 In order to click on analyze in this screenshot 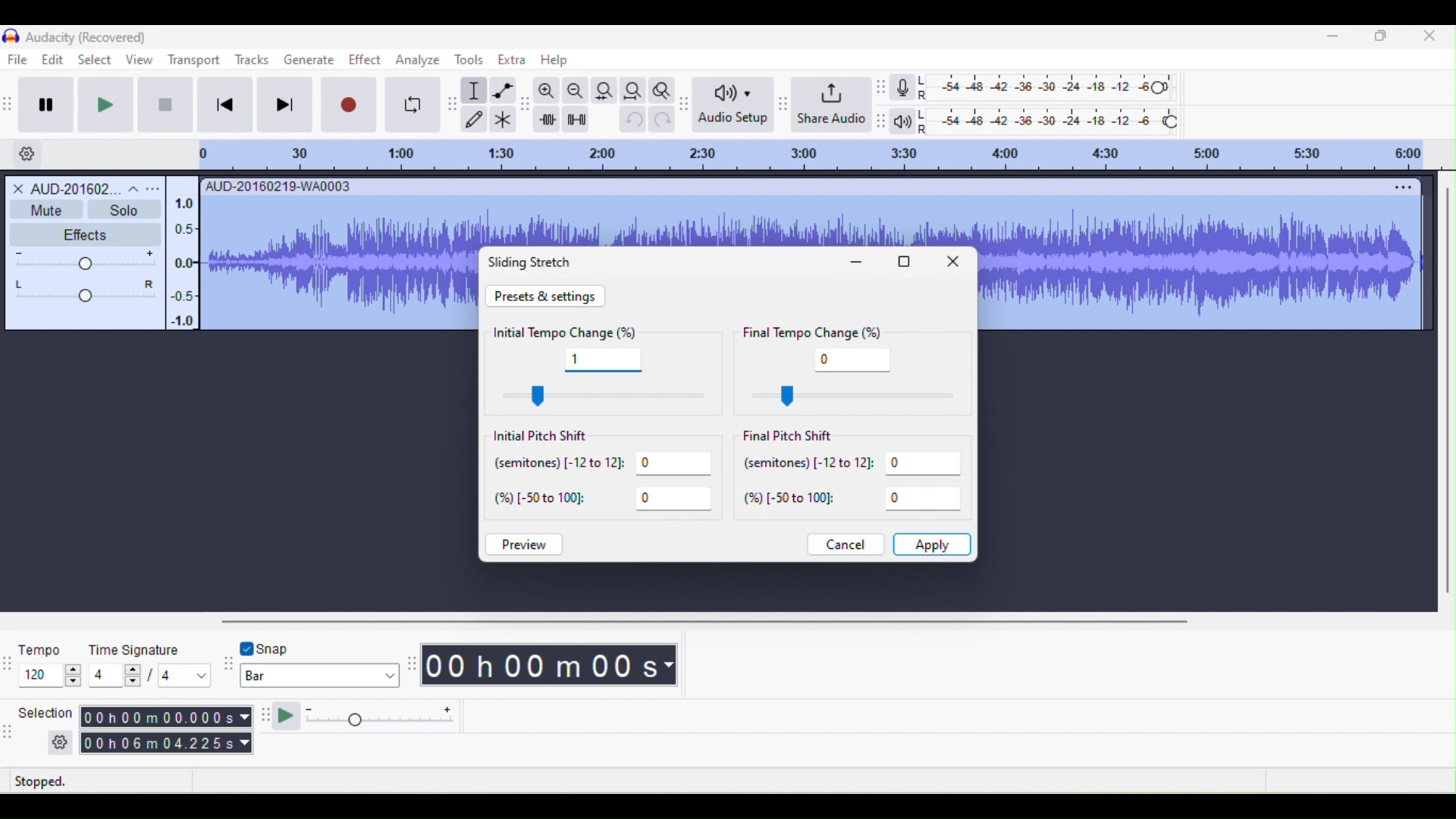, I will do `click(417, 62)`.